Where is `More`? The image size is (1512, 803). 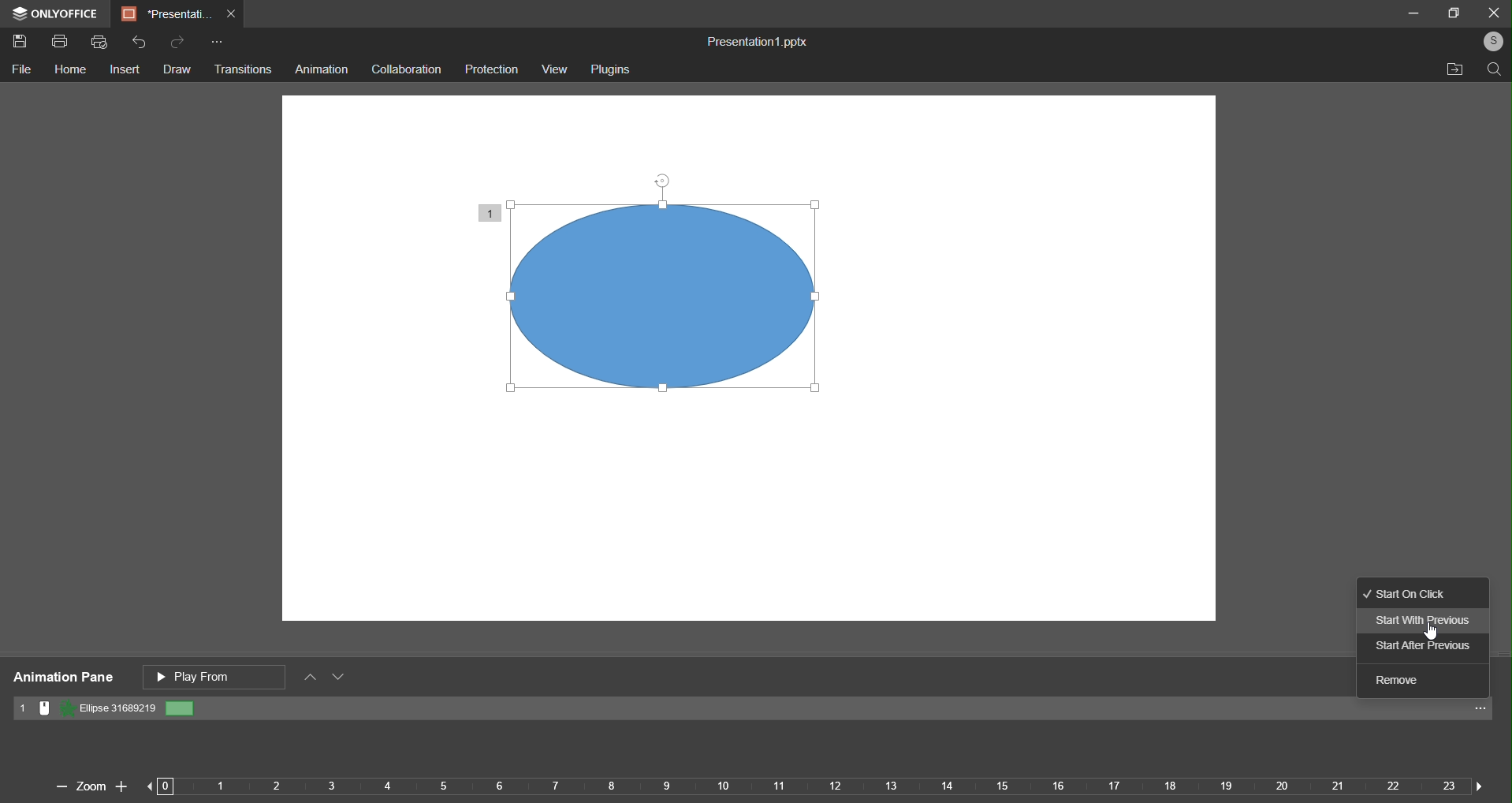
More is located at coordinates (1483, 711).